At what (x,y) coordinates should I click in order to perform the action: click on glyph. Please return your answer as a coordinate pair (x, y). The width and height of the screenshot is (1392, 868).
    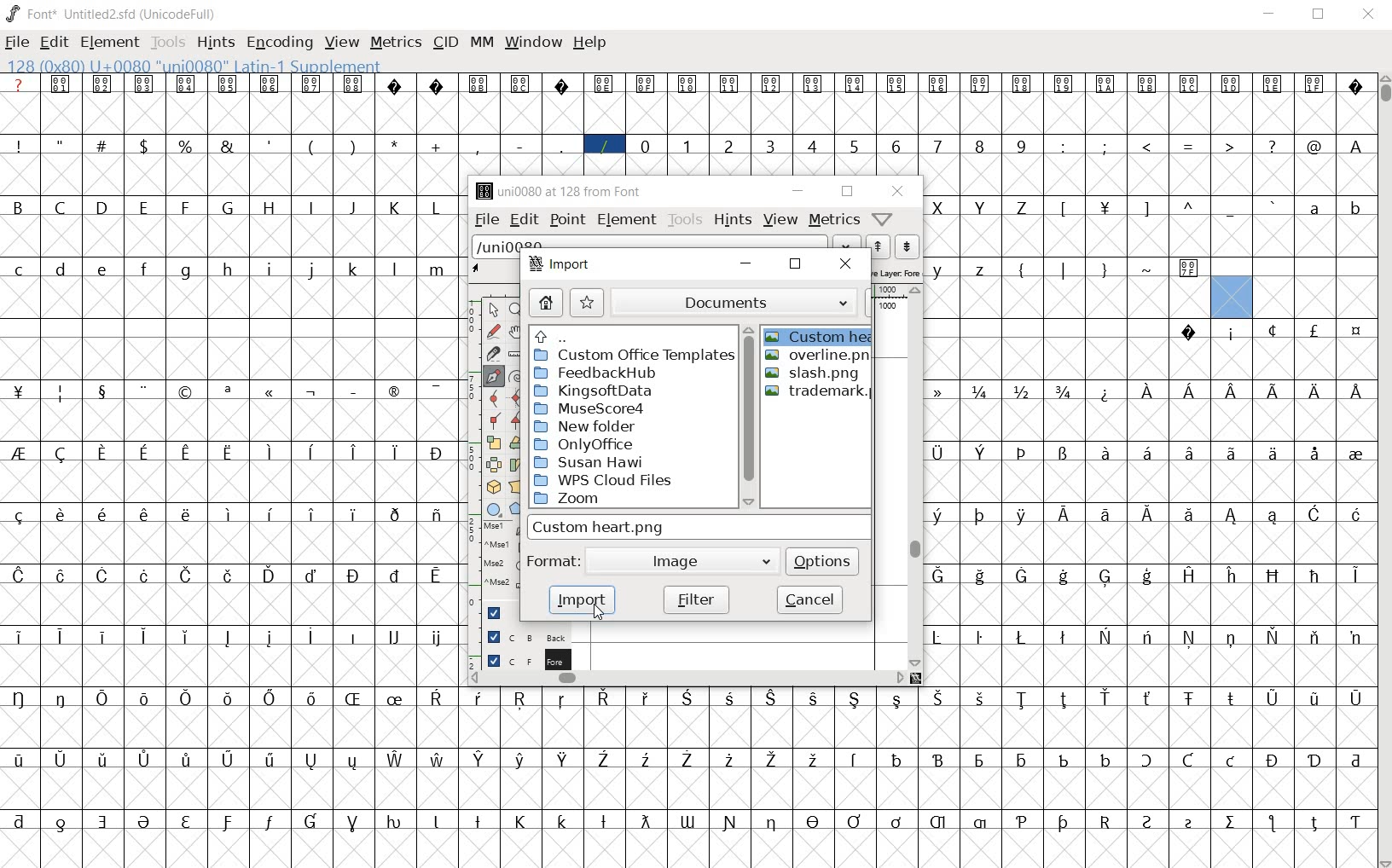
    Looking at the image, I should click on (937, 576).